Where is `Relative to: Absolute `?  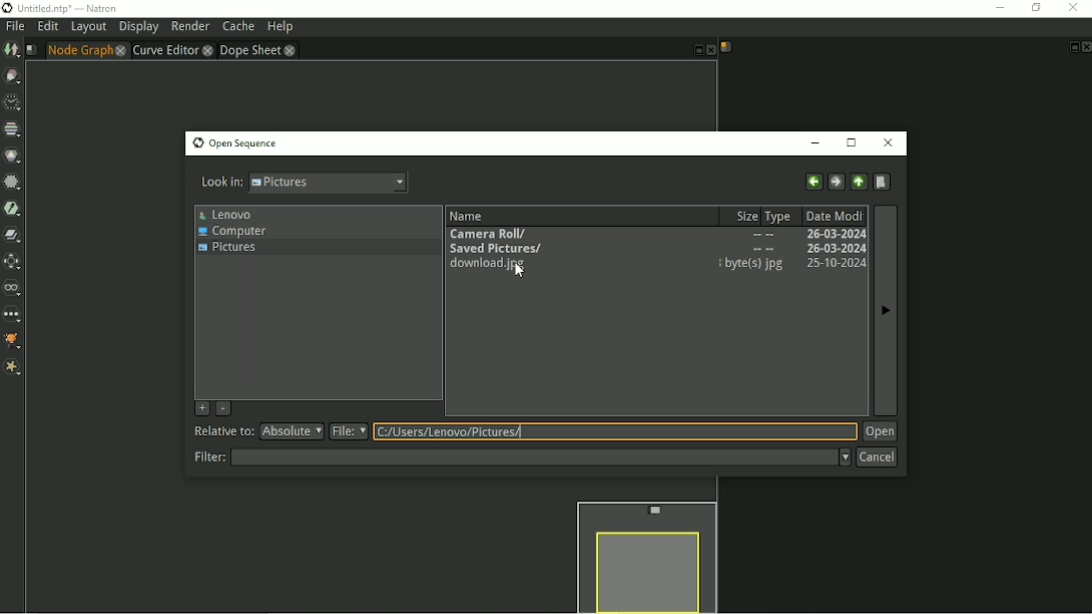
Relative to: Absolute  is located at coordinates (258, 432).